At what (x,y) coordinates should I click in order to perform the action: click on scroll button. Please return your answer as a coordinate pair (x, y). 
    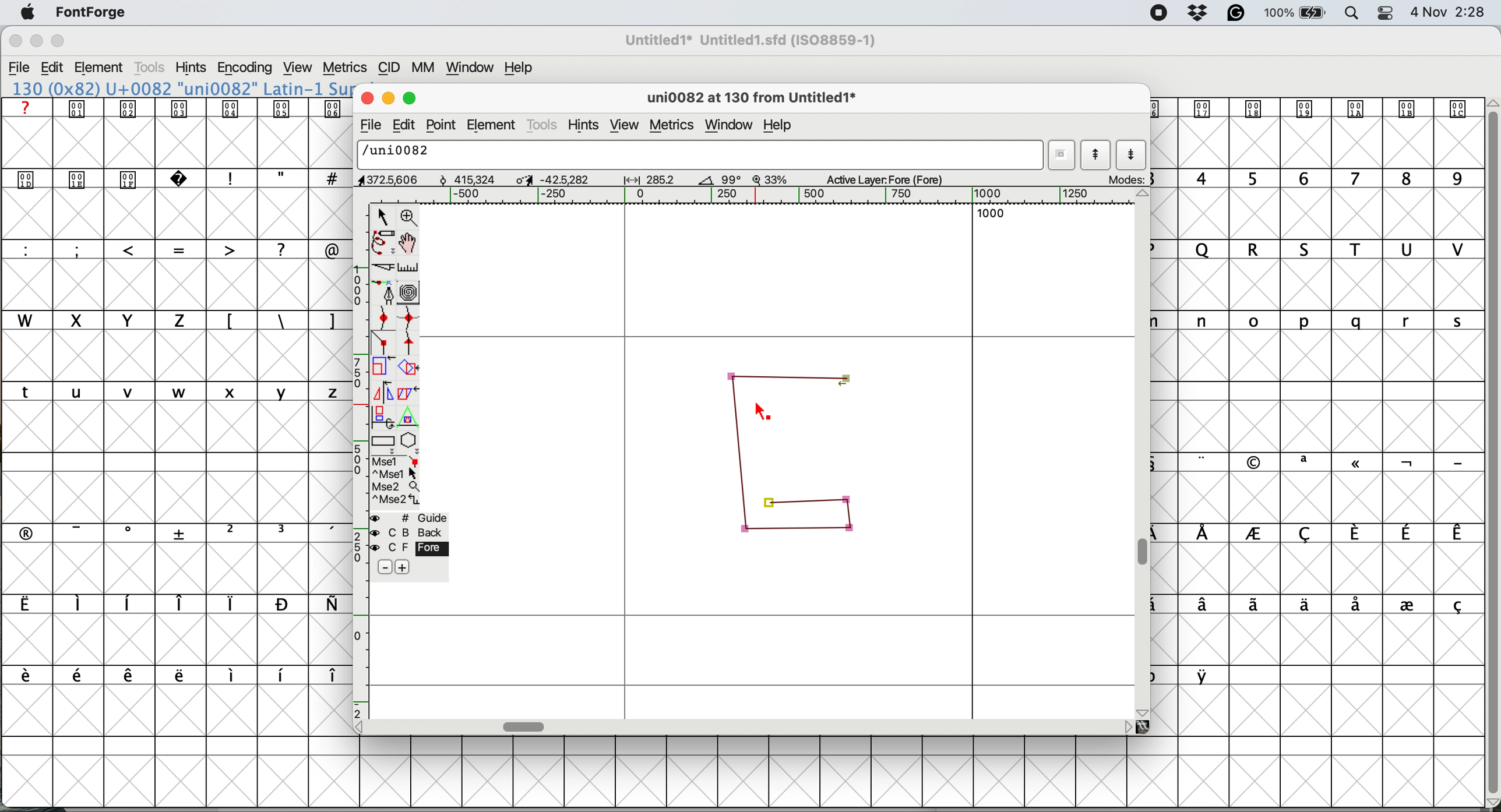
    Looking at the image, I should click on (1144, 711).